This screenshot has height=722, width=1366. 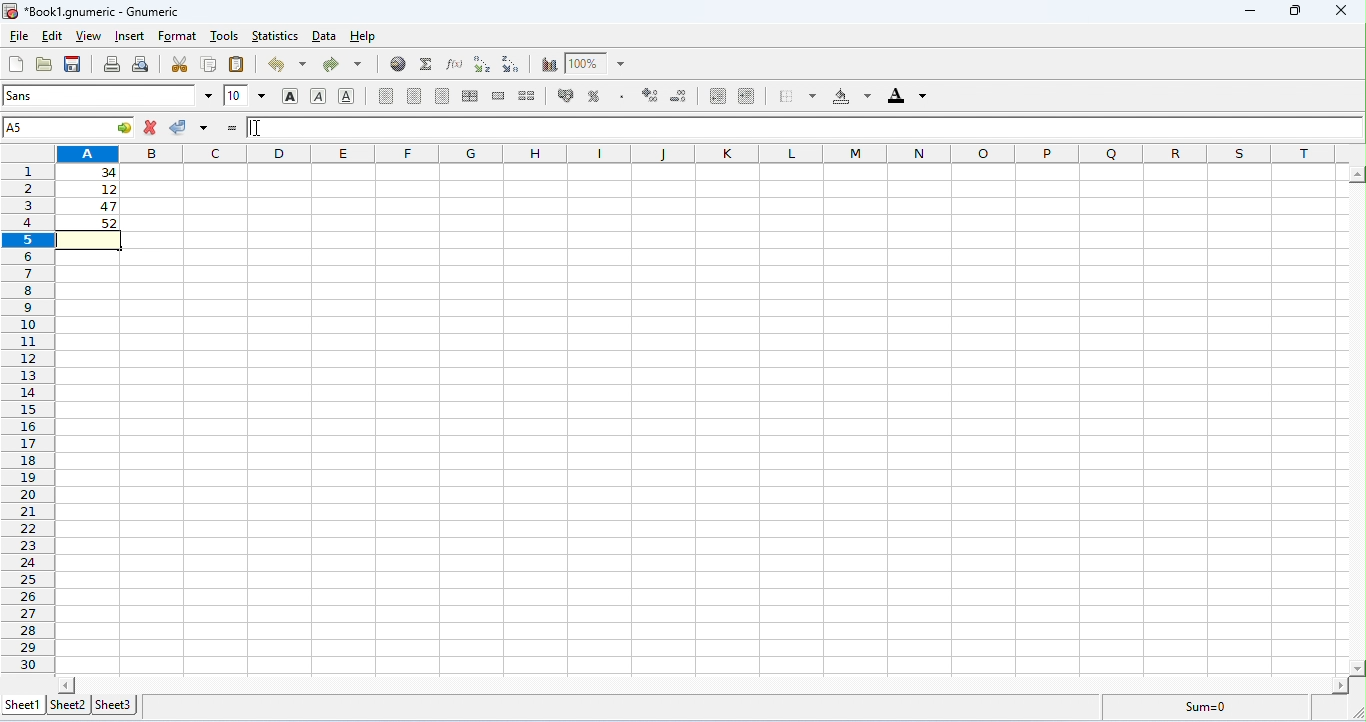 What do you see at coordinates (291, 97) in the screenshot?
I see `bold` at bounding box center [291, 97].